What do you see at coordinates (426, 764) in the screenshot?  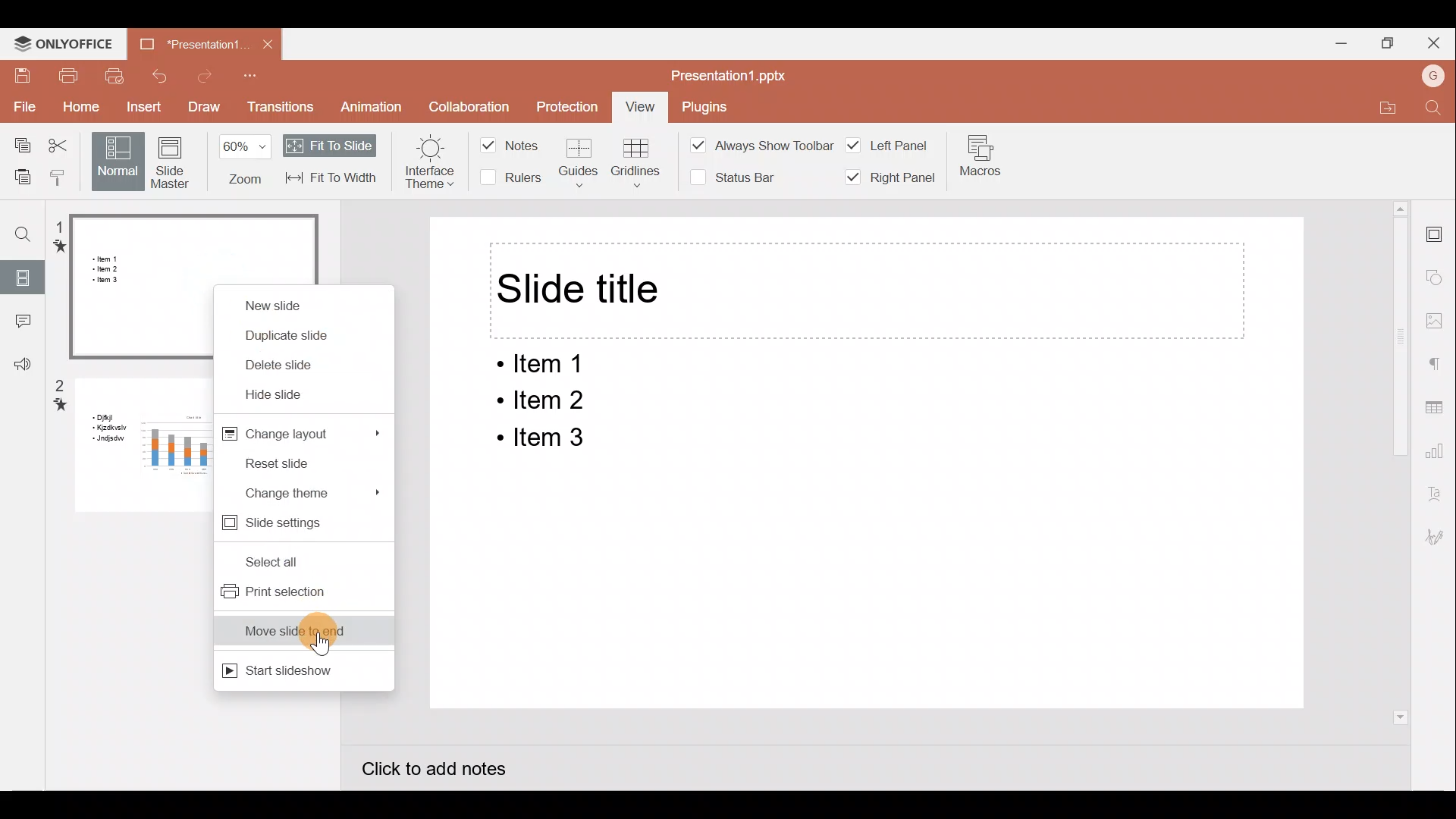 I see `Click to add notes` at bounding box center [426, 764].